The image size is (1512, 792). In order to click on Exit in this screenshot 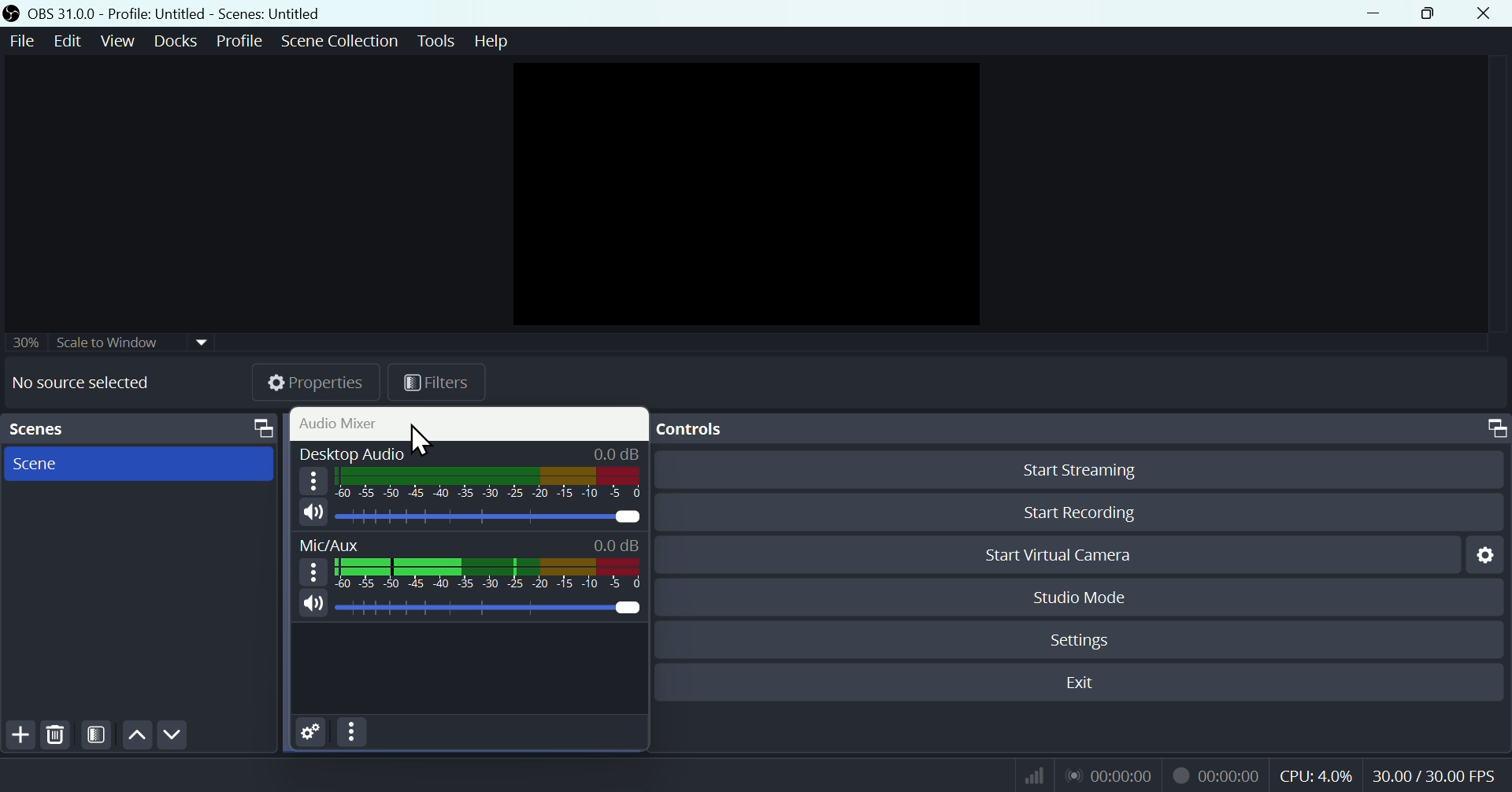, I will do `click(1080, 682)`.